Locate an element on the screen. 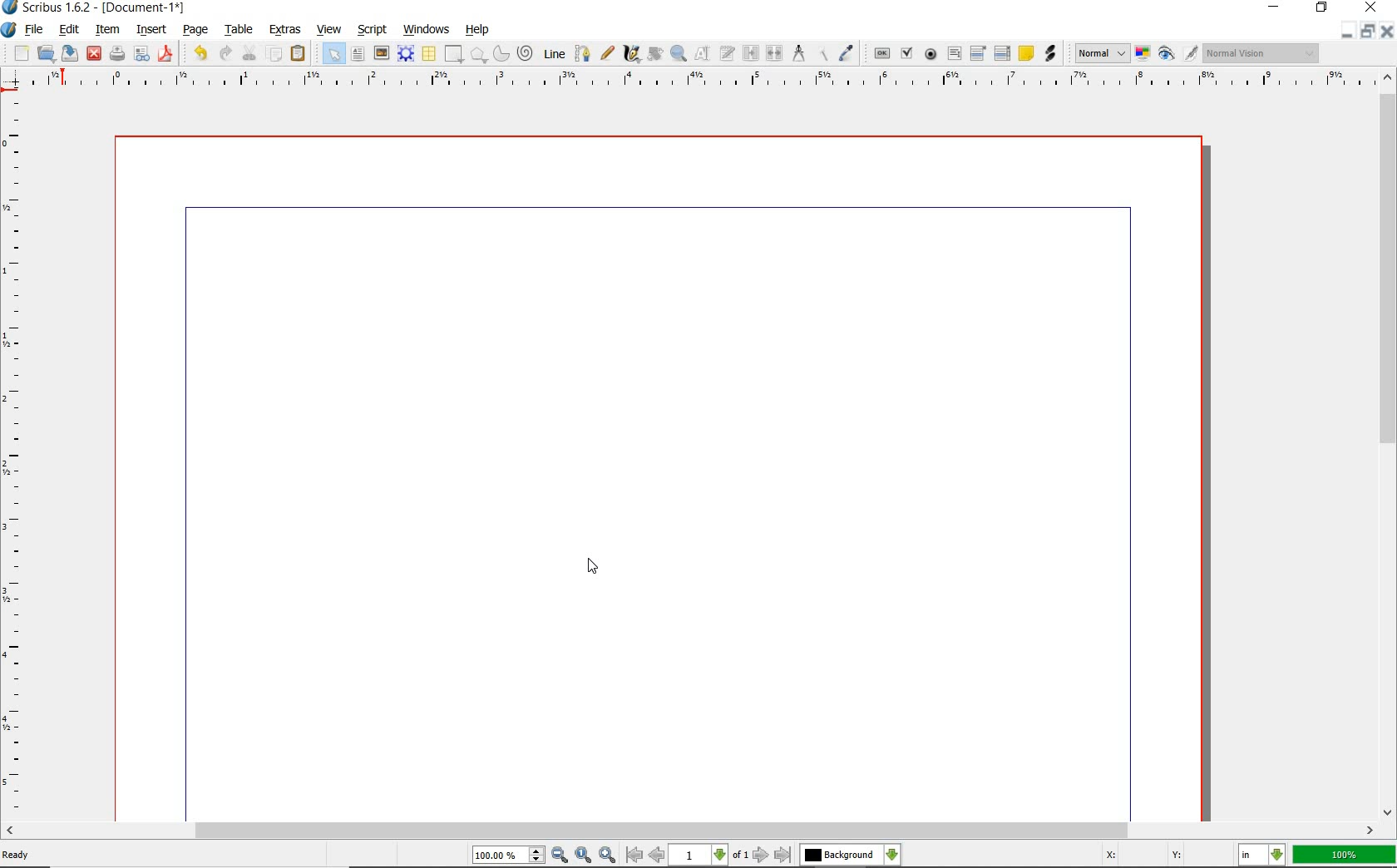 Image resolution: width=1397 pixels, height=868 pixels. scrollbar is located at coordinates (689, 831).